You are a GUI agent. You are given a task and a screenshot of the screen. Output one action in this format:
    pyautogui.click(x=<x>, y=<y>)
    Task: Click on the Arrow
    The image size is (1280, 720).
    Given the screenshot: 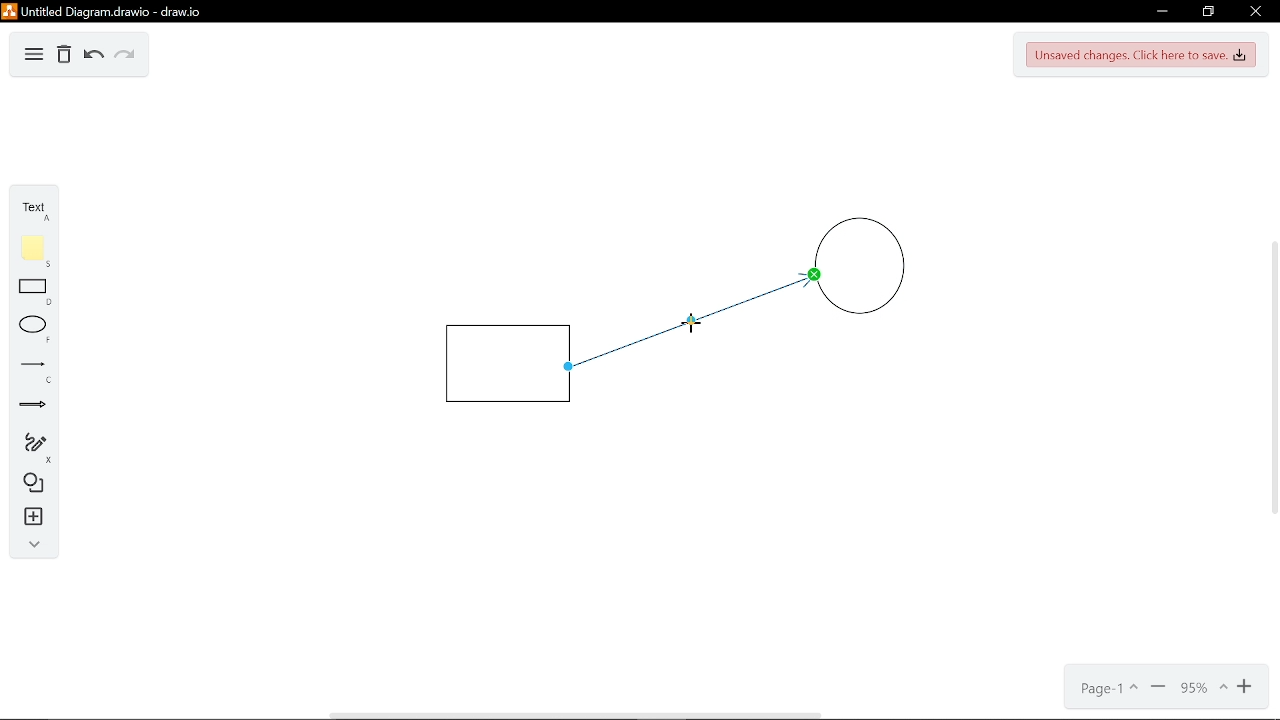 What is the action you would take?
    pyautogui.click(x=28, y=407)
    